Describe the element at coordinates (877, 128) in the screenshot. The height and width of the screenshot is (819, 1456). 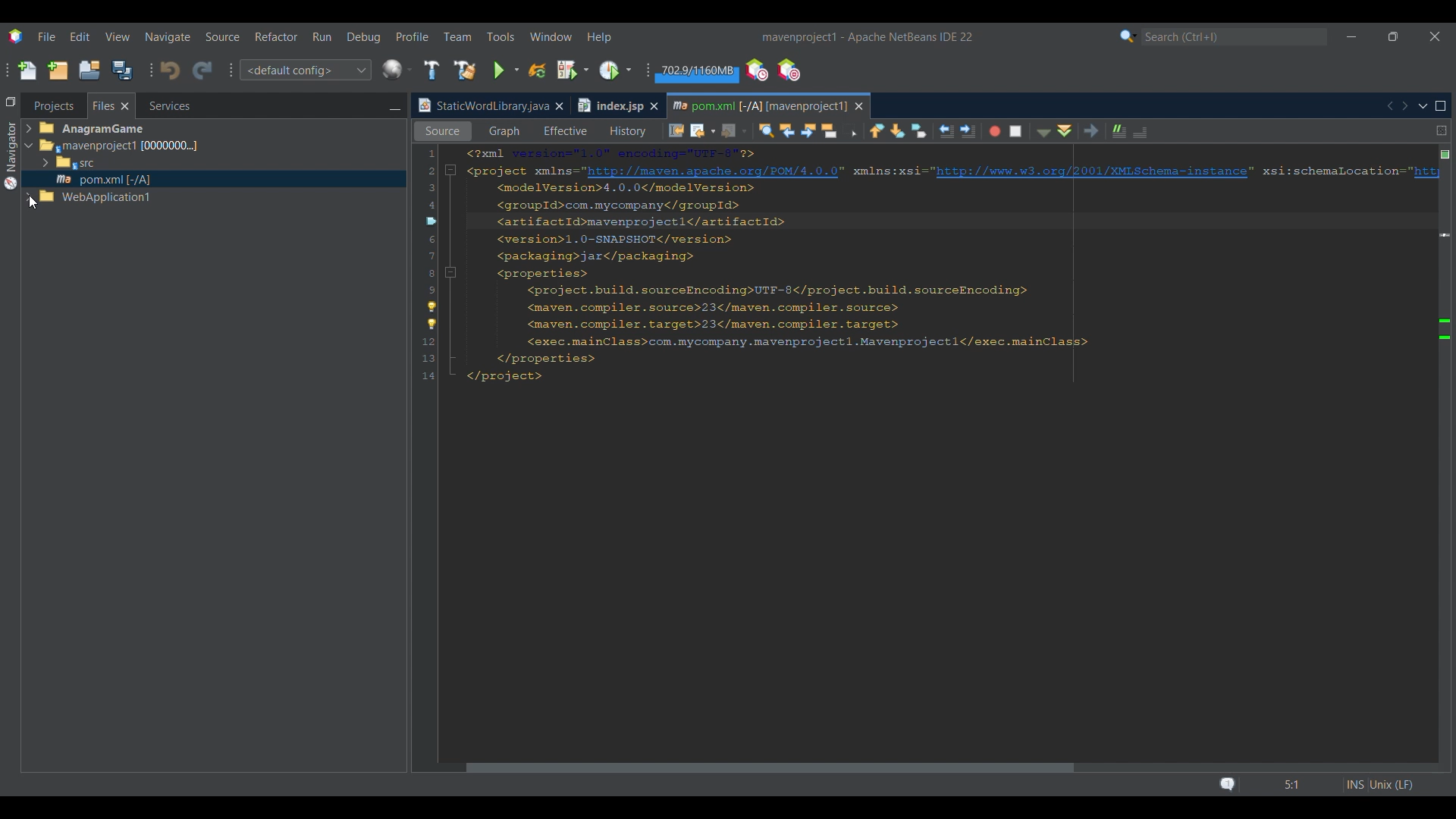
I see `Previous bookmark` at that location.